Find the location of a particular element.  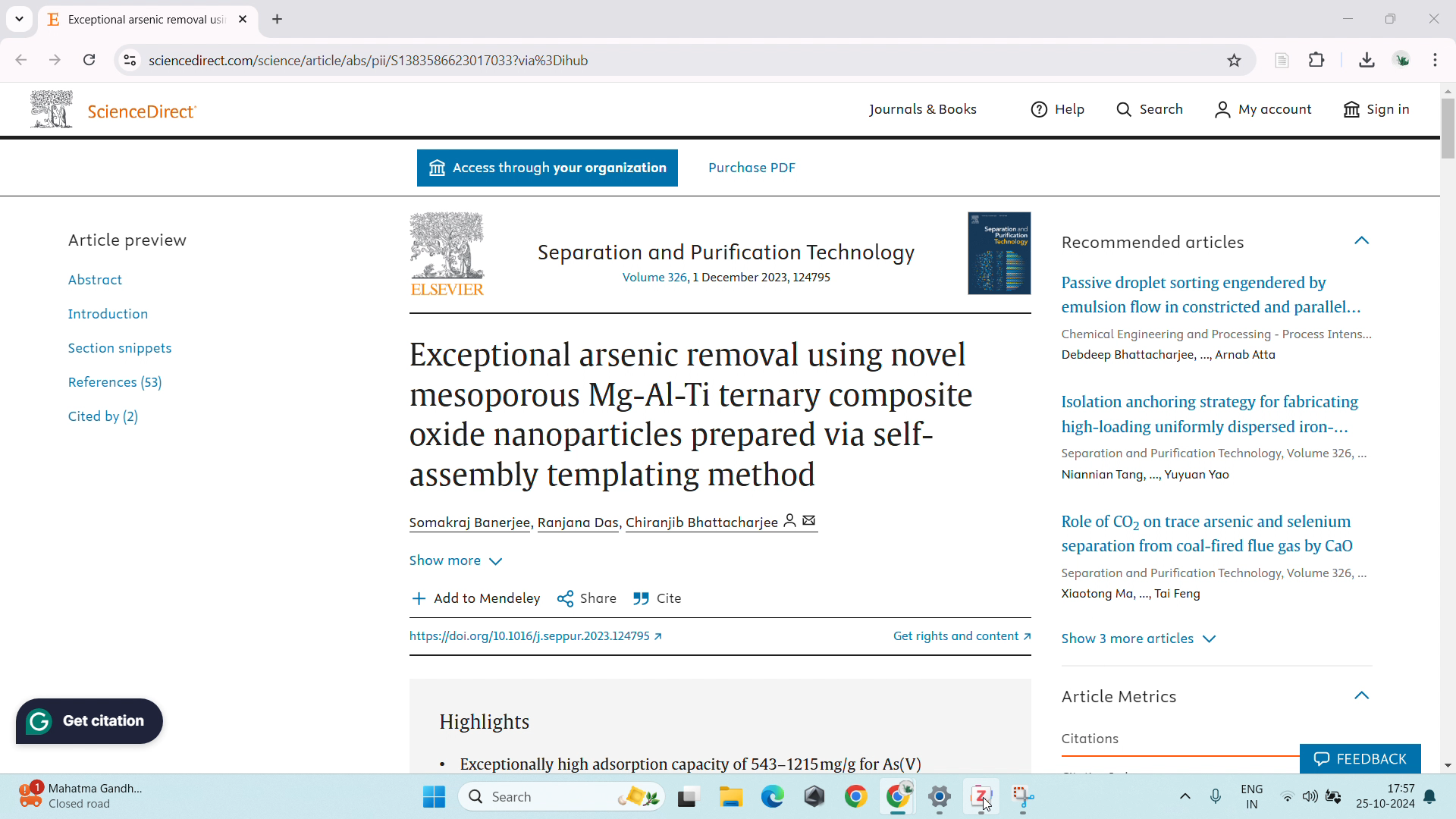

customize and control is located at coordinates (1437, 59).